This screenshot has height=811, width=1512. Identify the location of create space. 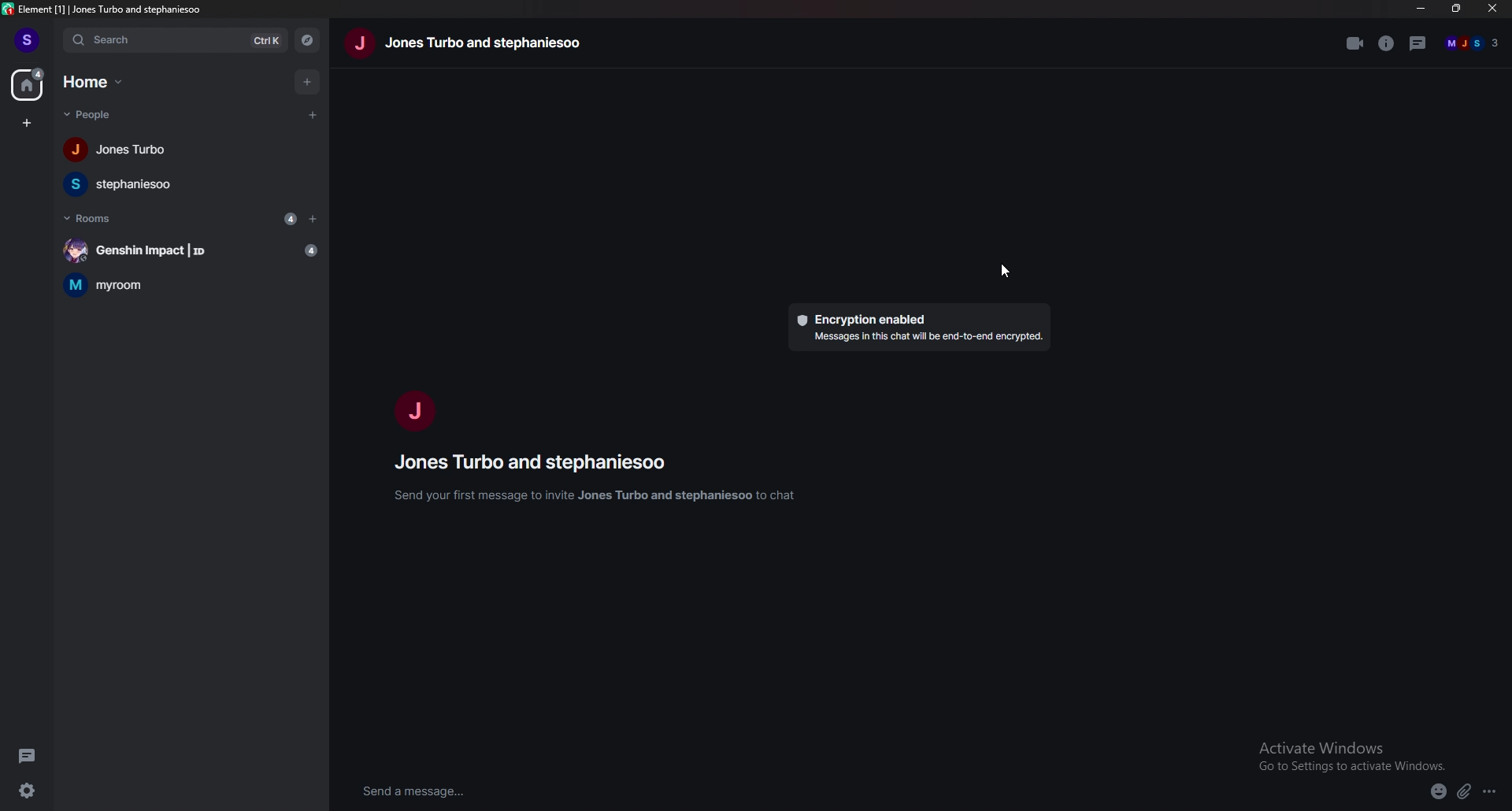
(28, 124).